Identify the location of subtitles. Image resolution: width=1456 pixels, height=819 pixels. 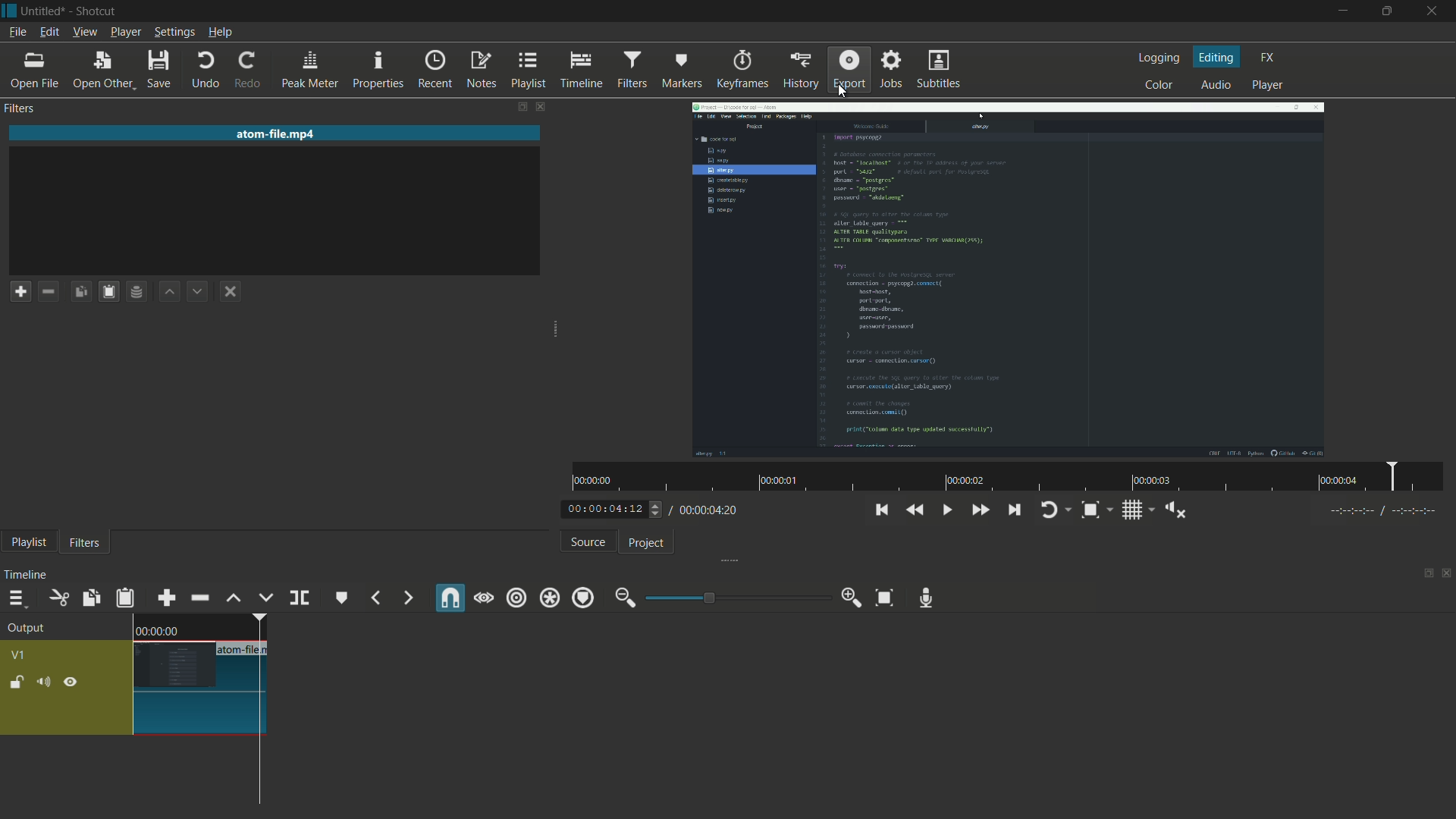
(937, 68).